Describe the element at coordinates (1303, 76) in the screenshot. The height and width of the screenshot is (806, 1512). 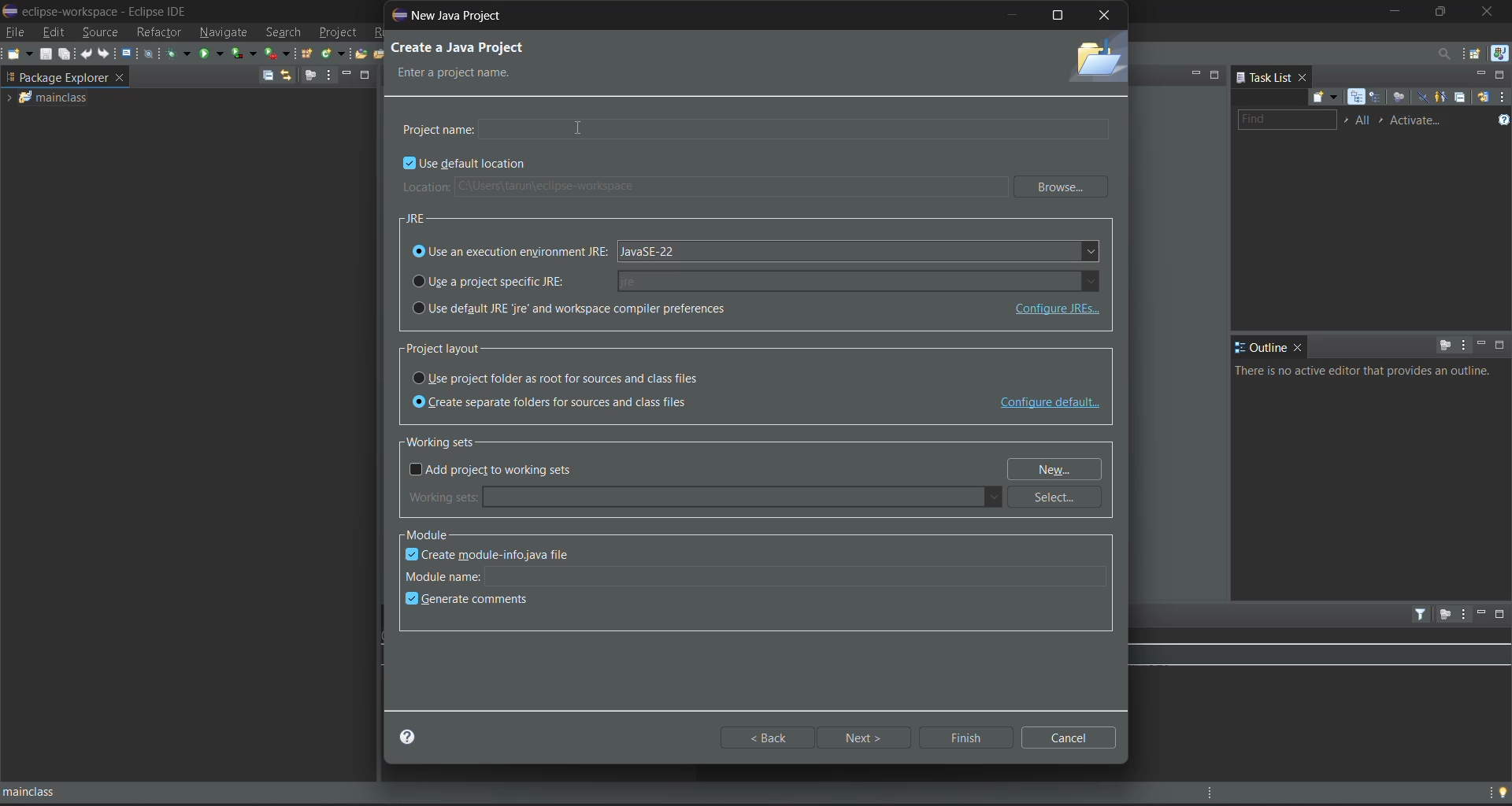
I see `close` at that location.